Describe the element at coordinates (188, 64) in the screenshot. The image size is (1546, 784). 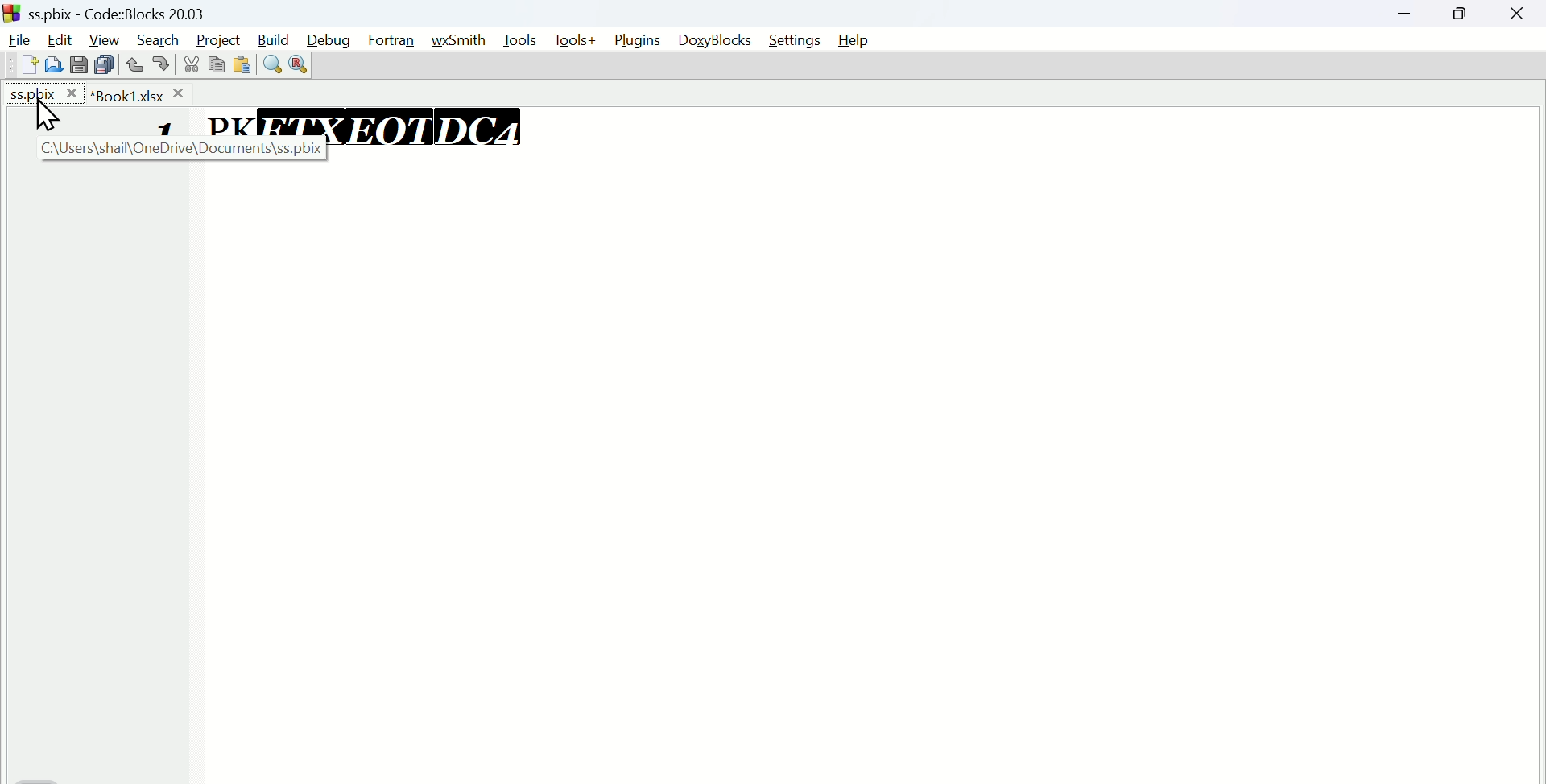
I see `Cut` at that location.